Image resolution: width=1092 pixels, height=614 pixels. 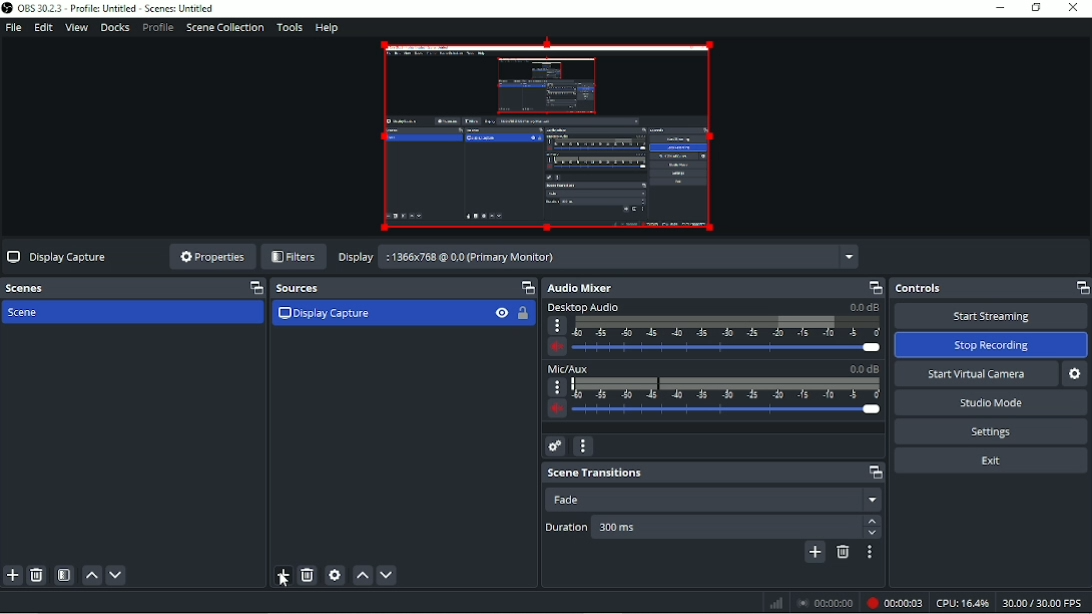 What do you see at coordinates (281, 587) in the screenshot?
I see `cursor` at bounding box center [281, 587].